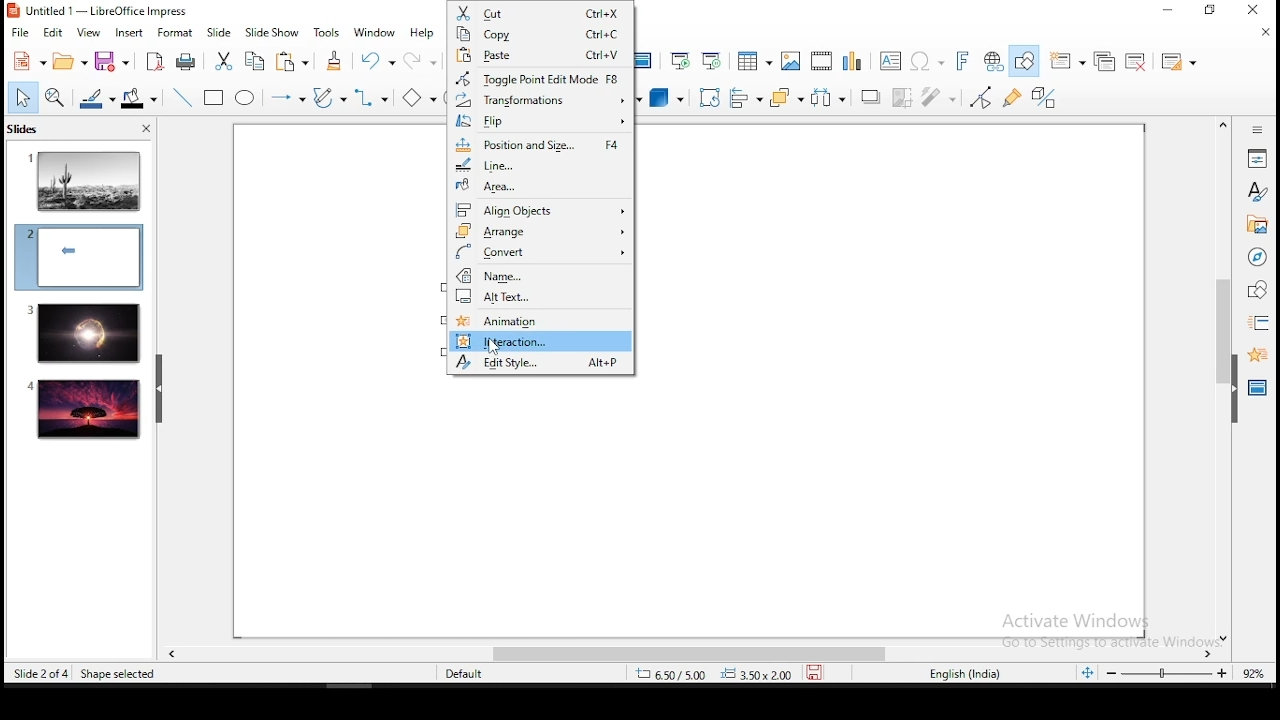 The width and height of the screenshot is (1280, 720). I want to click on paste, so click(539, 56).